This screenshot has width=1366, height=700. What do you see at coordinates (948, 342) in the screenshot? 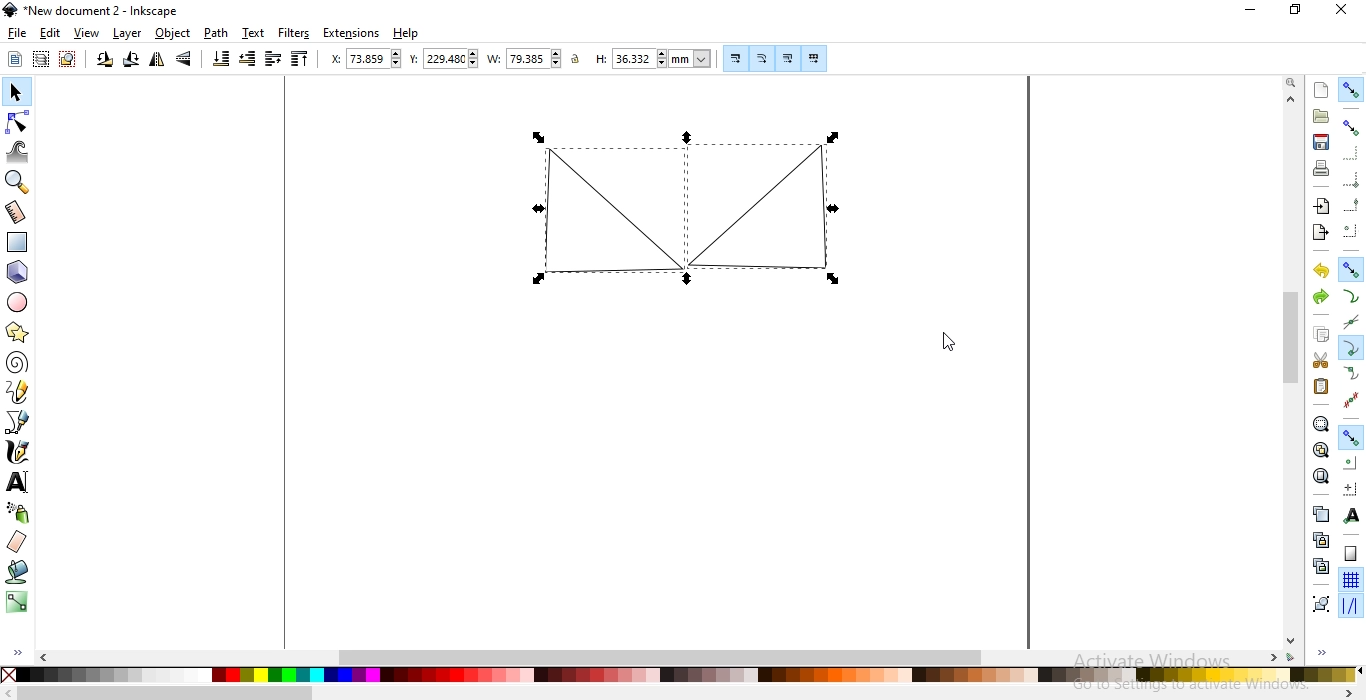
I see `cursor` at bounding box center [948, 342].